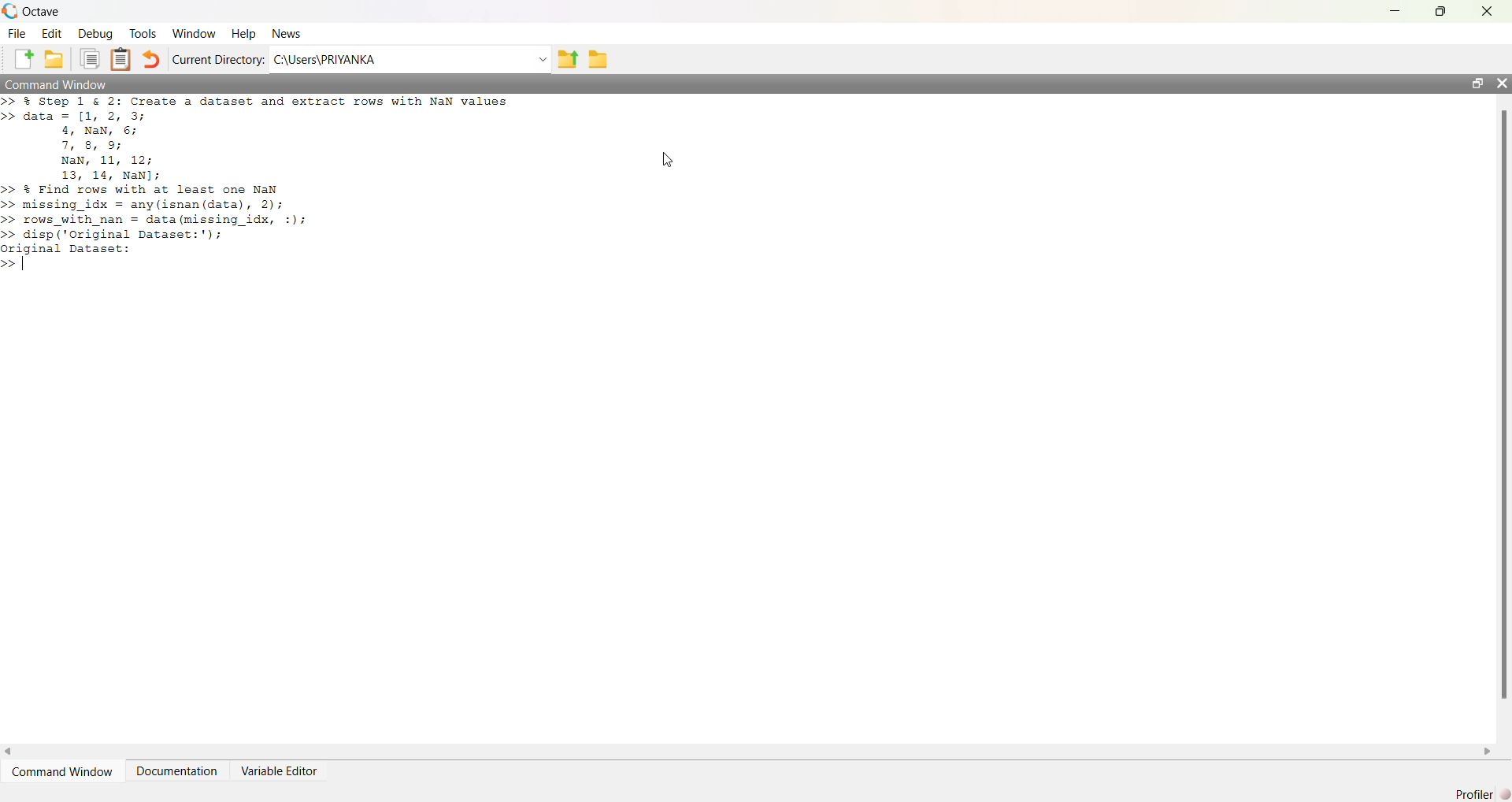 This screenshot has width=1512, height=802. Describe the element at coordinates (52, 34) in the screenshot. I see `Edit` at that location.